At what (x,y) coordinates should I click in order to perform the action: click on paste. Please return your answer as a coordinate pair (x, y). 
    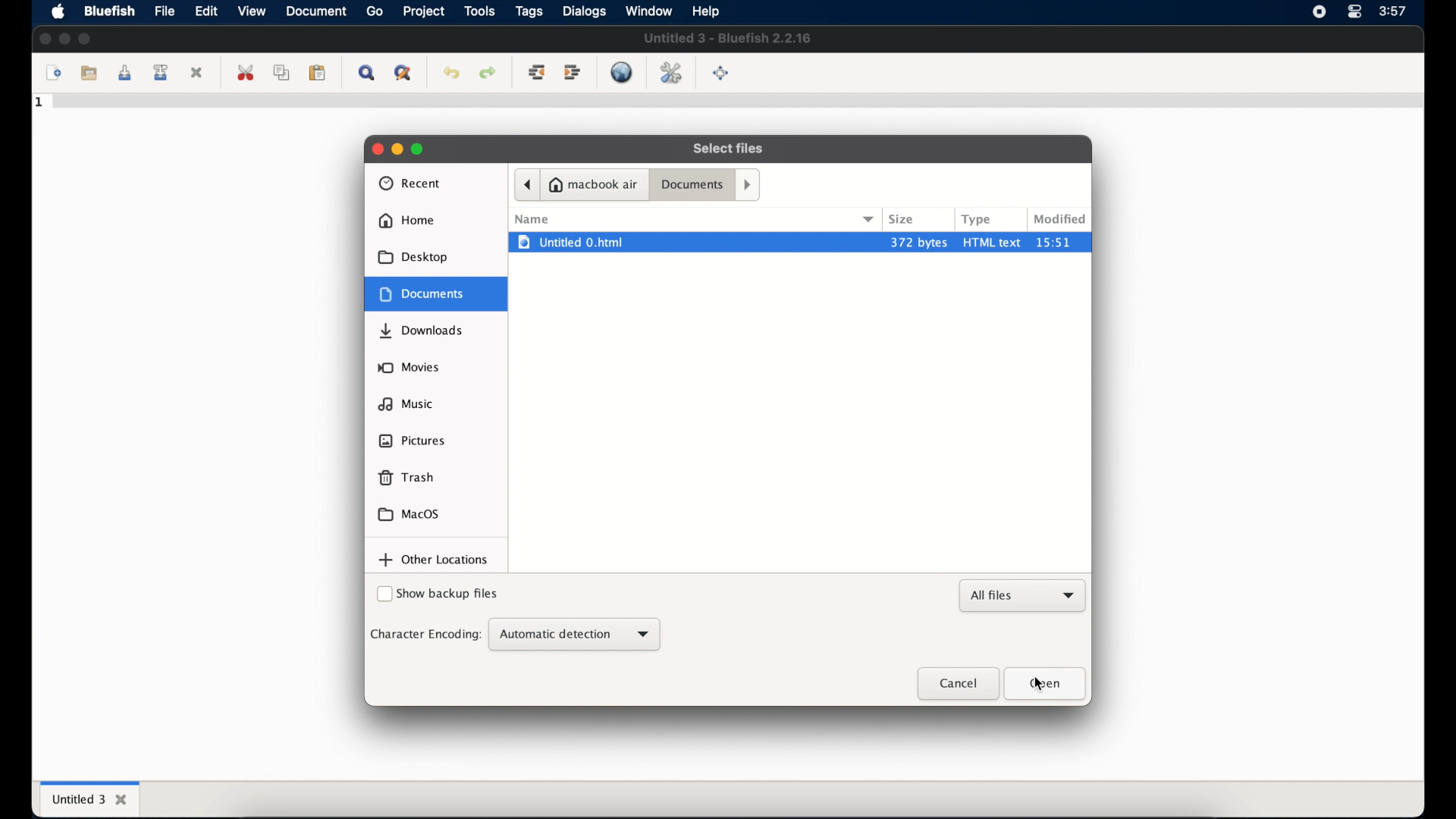
    Looking at the image, I should click on (318, 74).